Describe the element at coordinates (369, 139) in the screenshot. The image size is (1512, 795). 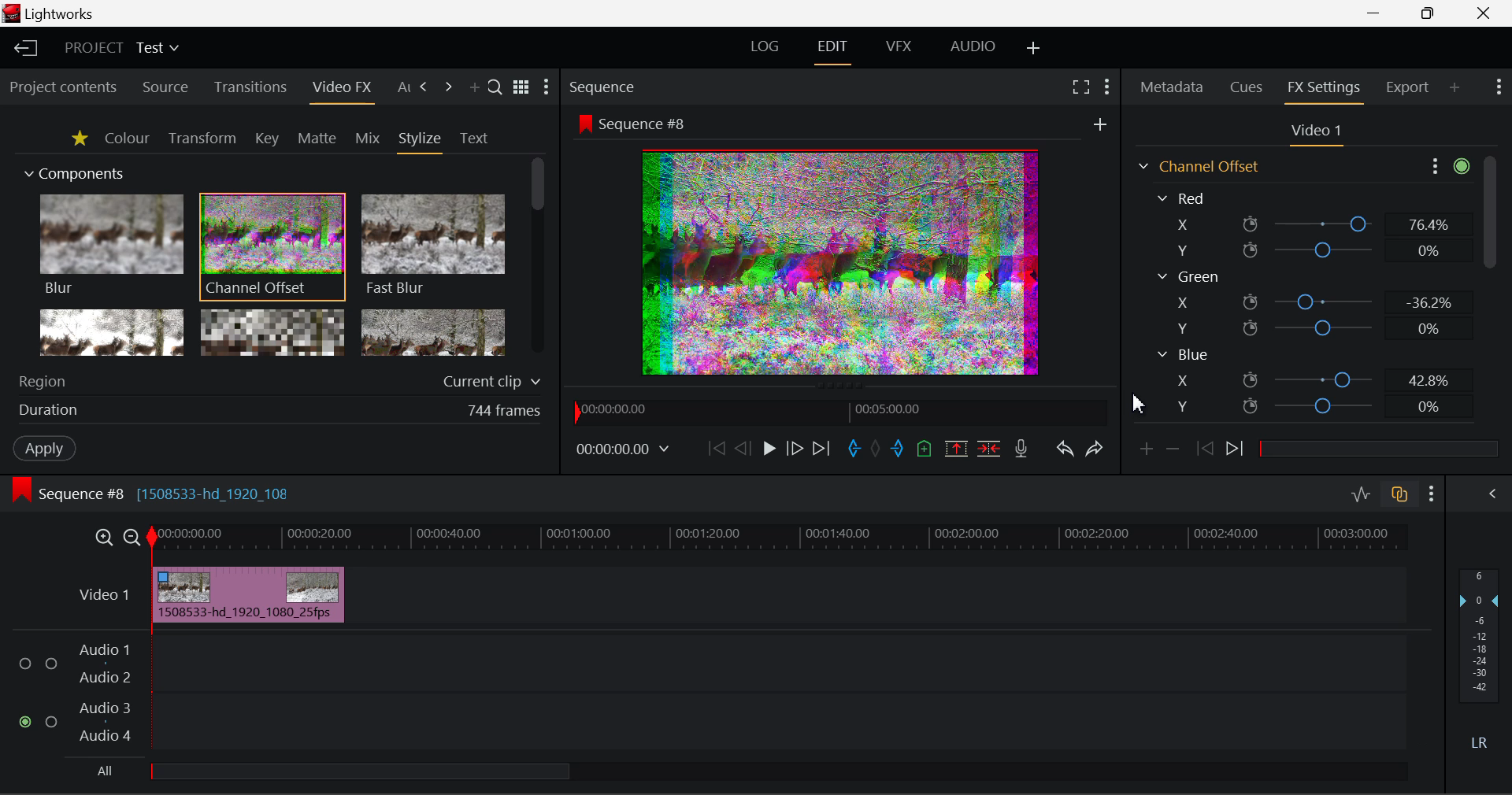
I see `Mix` at that location.